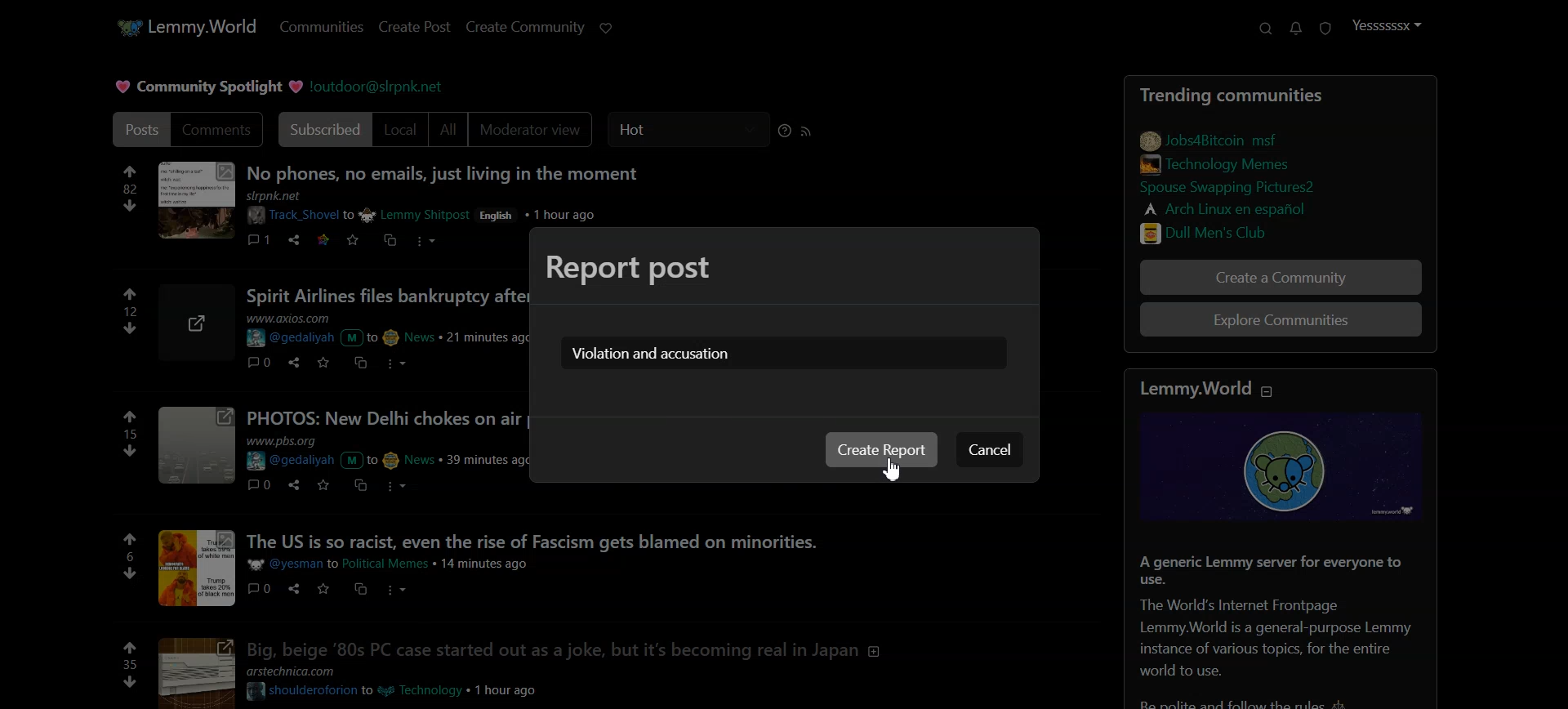  Describe the element at coordinates (385, 417) in the screenshot. I see `posts` at that location.